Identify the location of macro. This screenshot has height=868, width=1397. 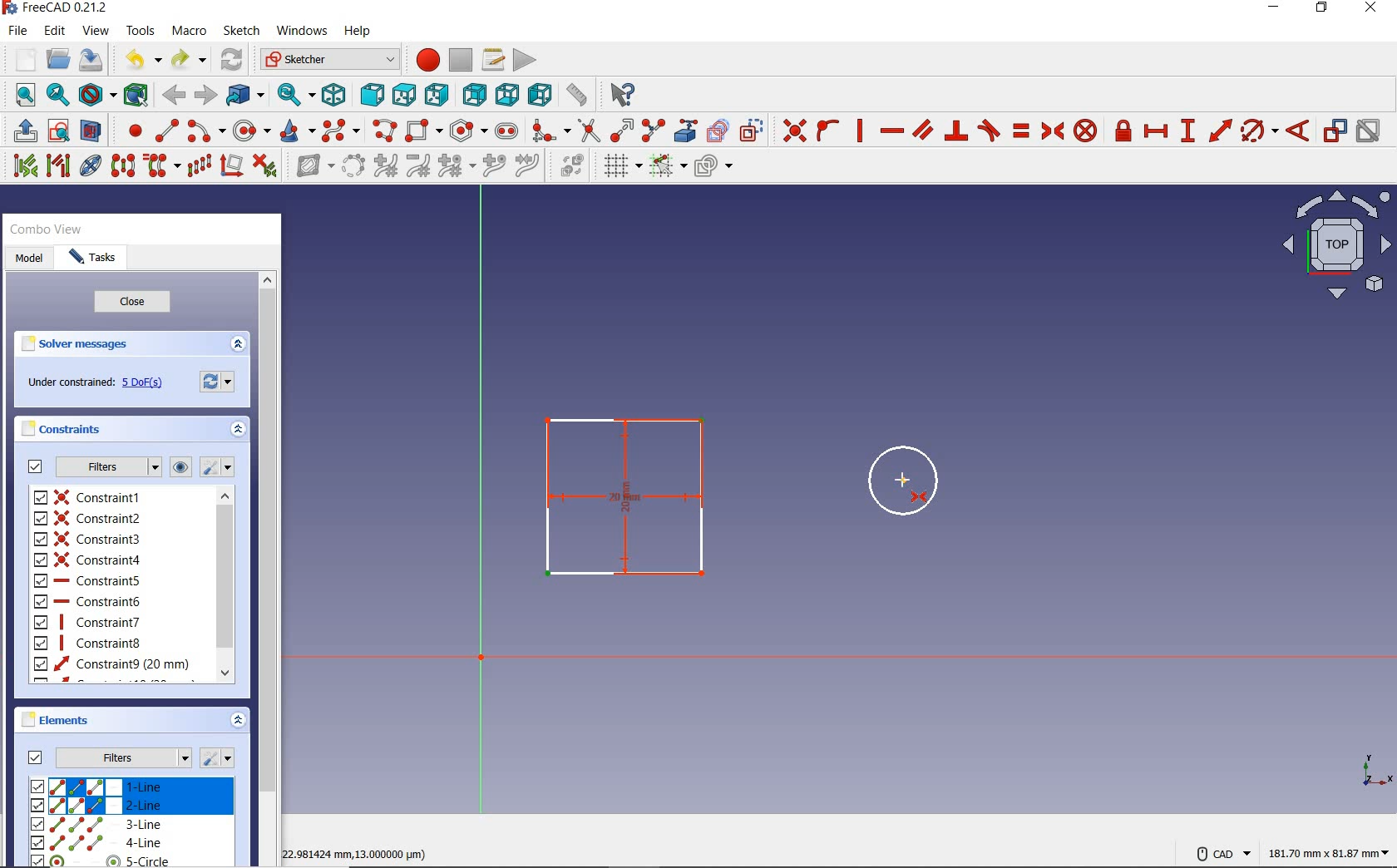
(190, 30).